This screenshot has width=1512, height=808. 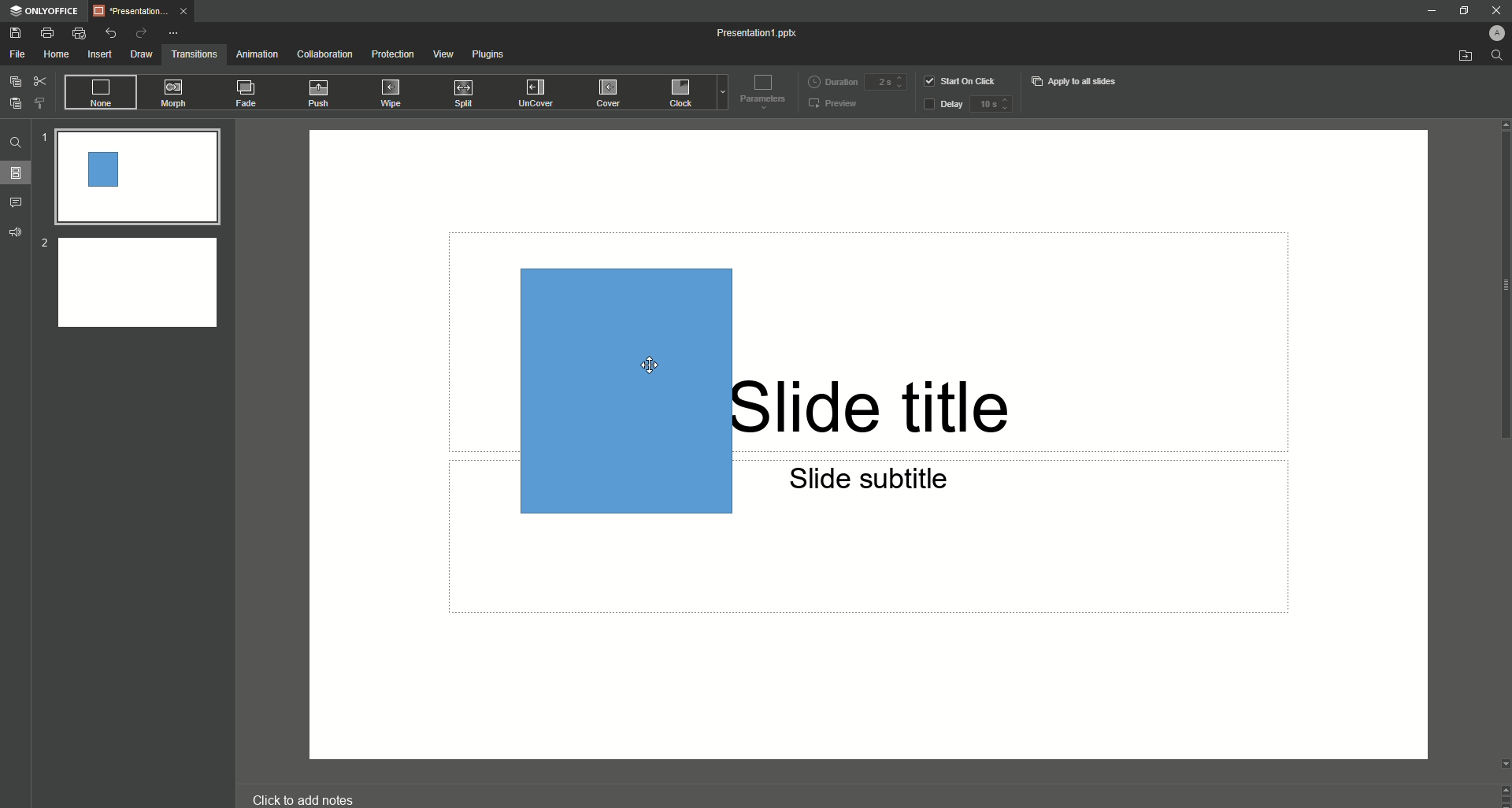 I want to click on Cut, so click(x=43, y=80).